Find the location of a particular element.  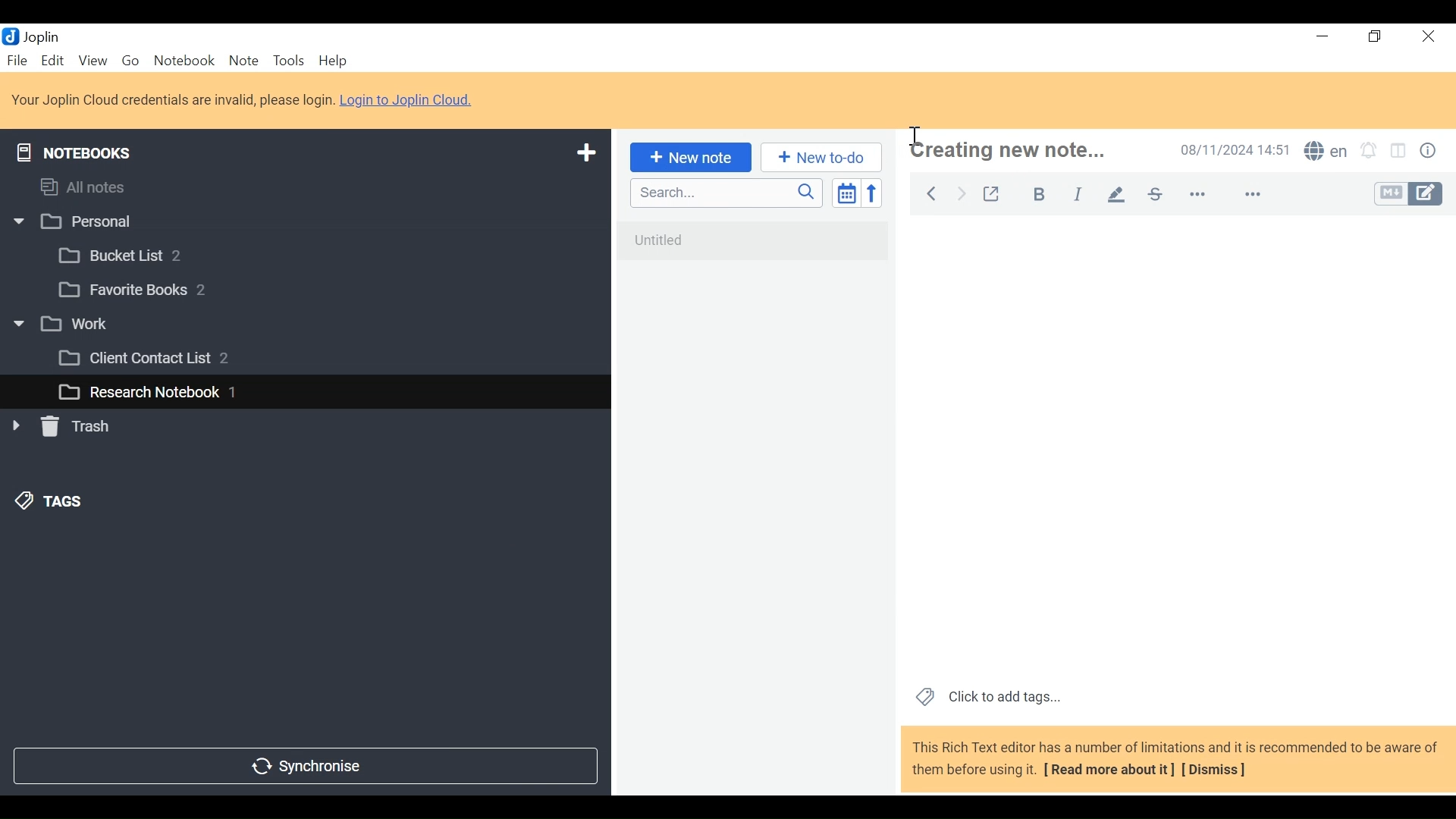

italiac is located at coordinates (1079, 193).